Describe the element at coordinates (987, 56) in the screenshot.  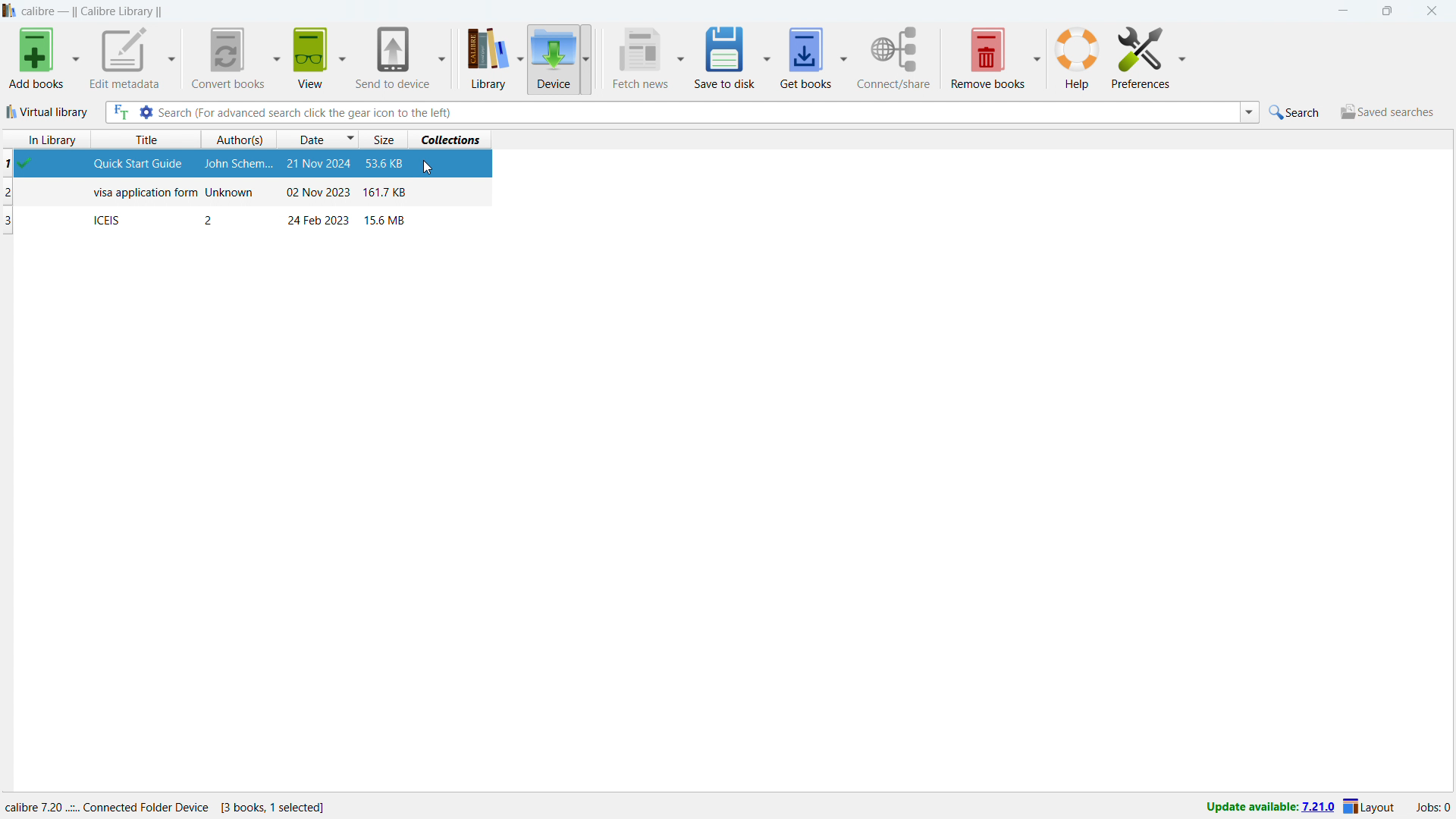
I see `remove books` at that location.